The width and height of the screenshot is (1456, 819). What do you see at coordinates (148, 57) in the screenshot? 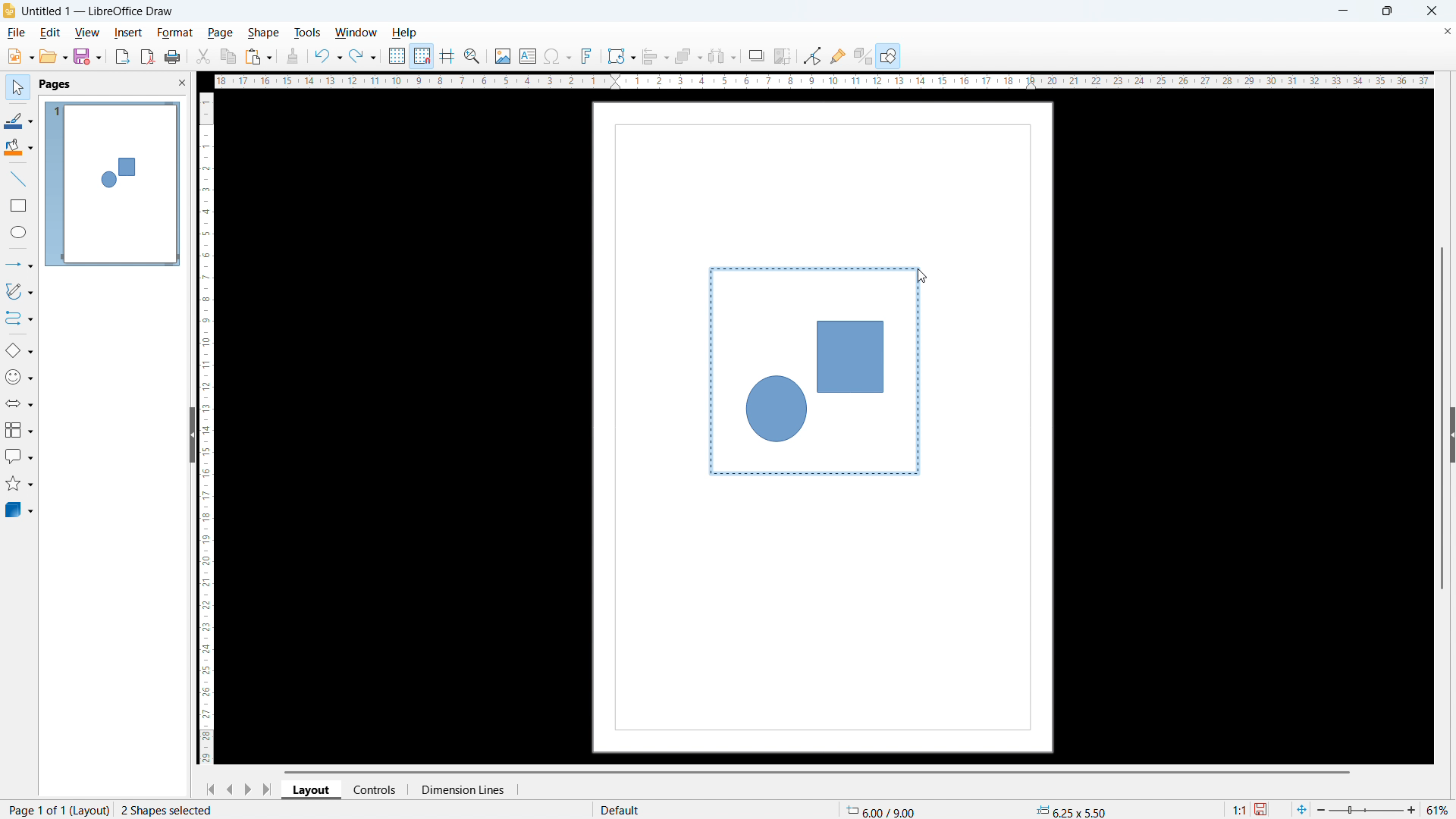
I see `export as pdf` at bounding box center [148, 57].